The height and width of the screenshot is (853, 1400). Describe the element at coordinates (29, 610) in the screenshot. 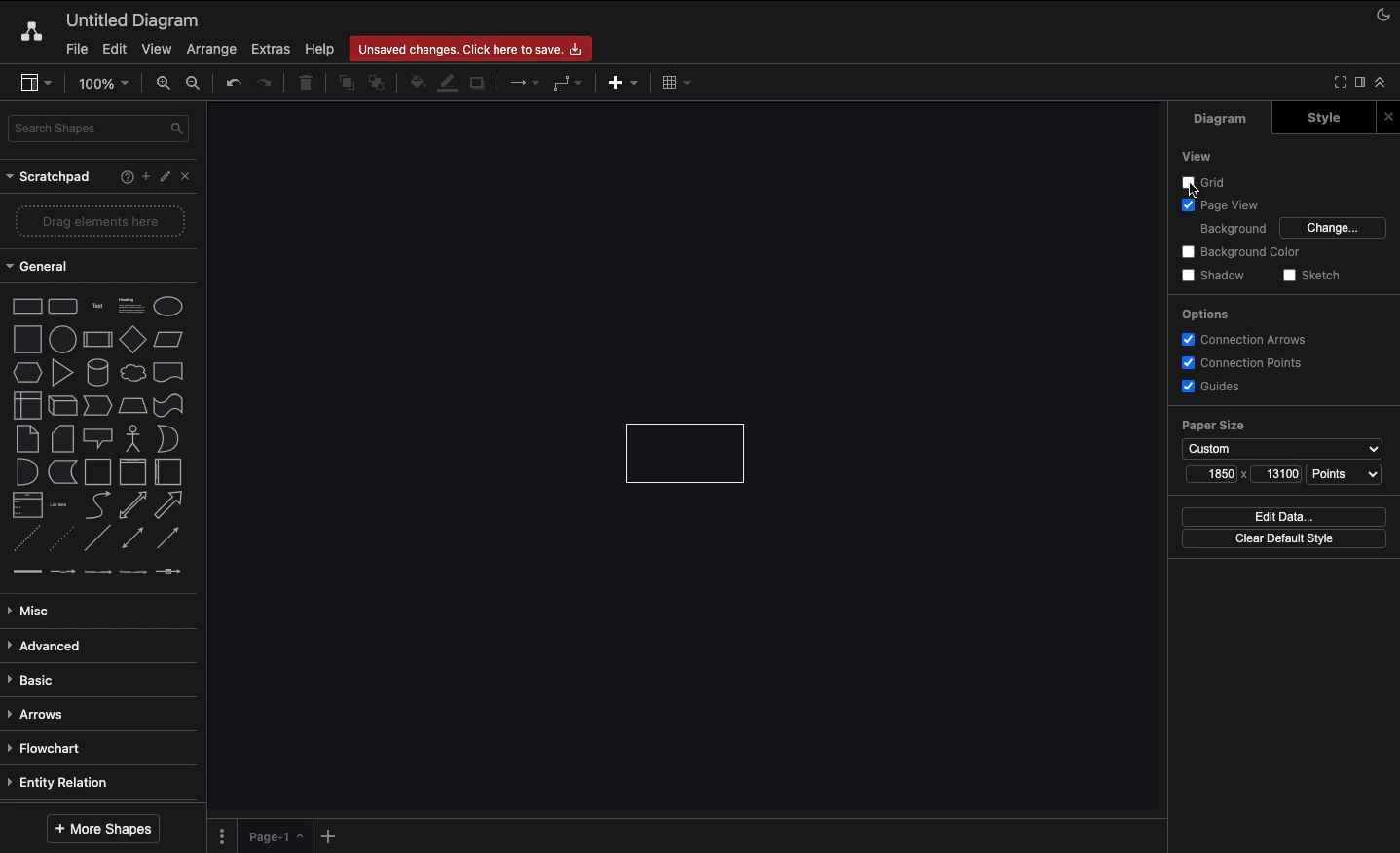

I see `Misc` at that location.